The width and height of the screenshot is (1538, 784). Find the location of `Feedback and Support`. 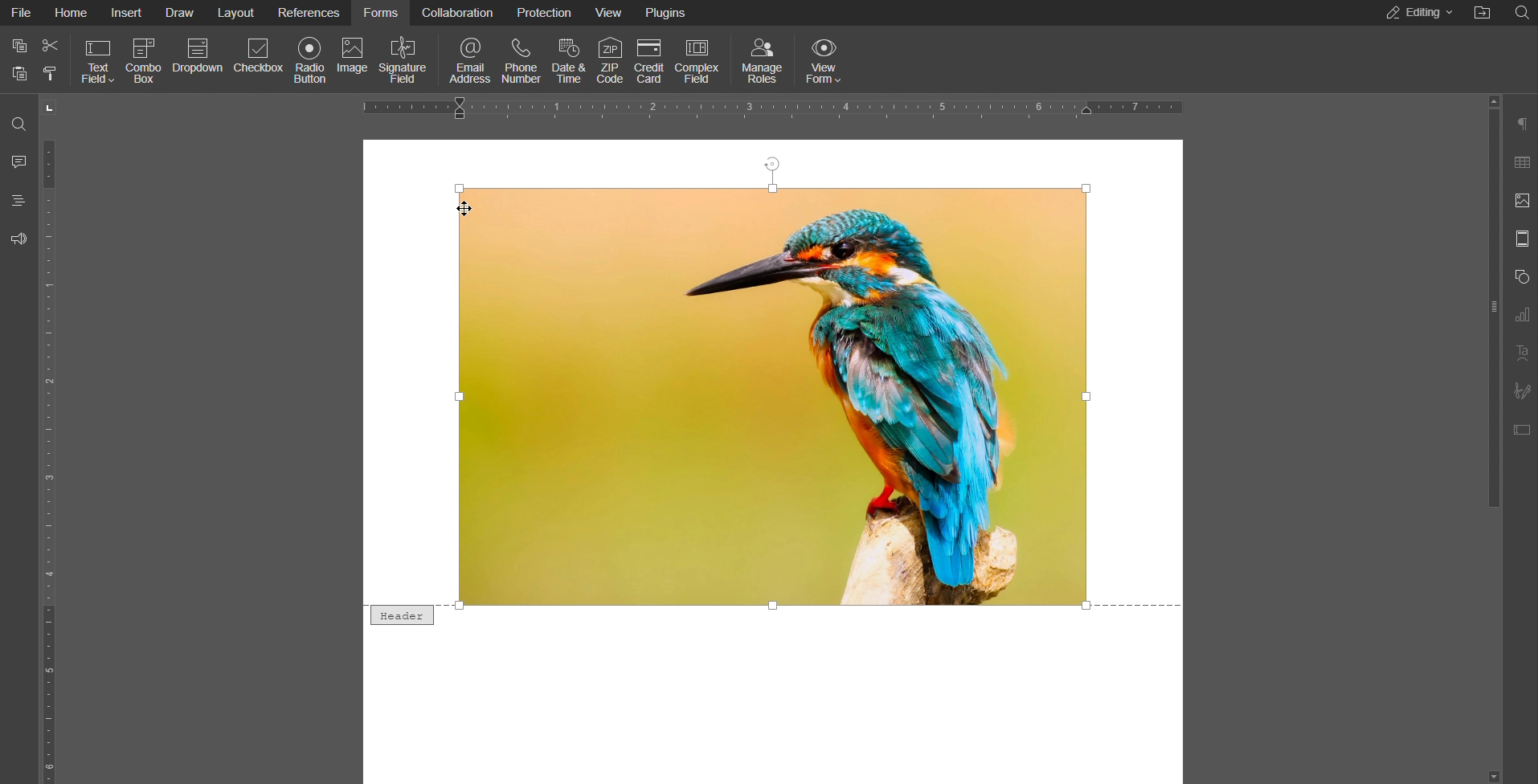

Feedback and Support is located at coordinates (19, 238).